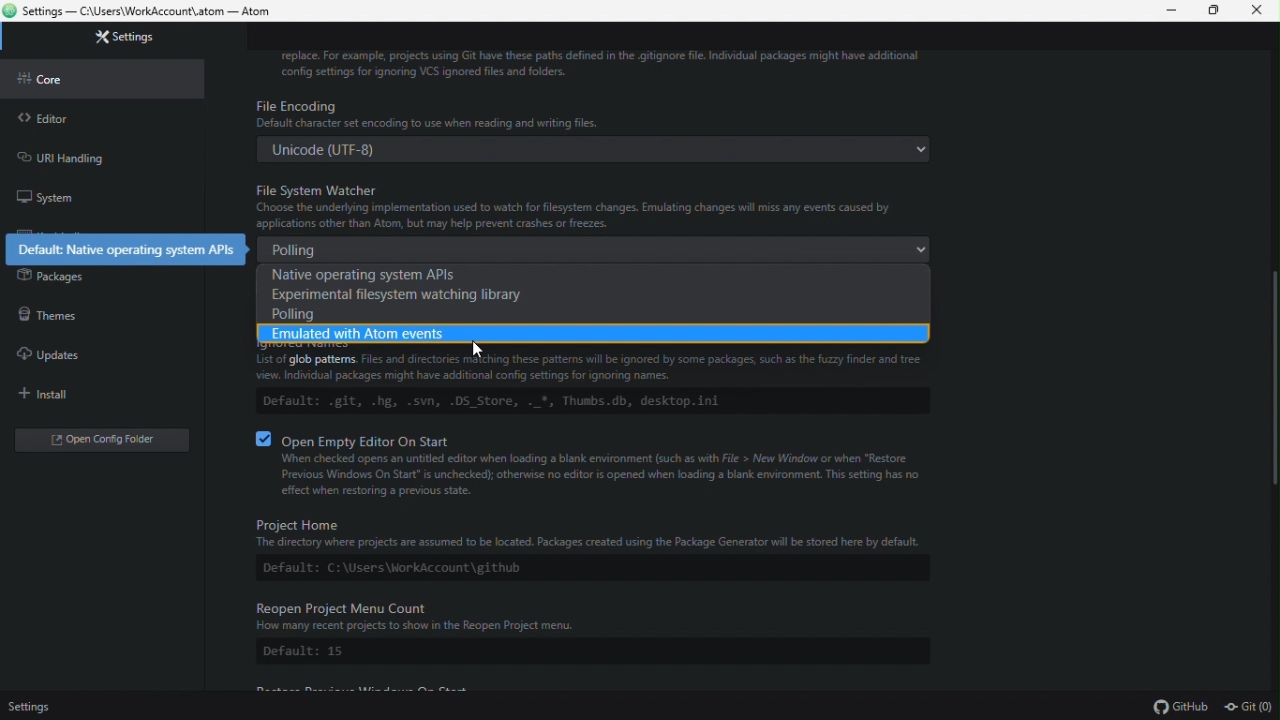  I want to click on Unicode (UTF-8), so click(591, 150).